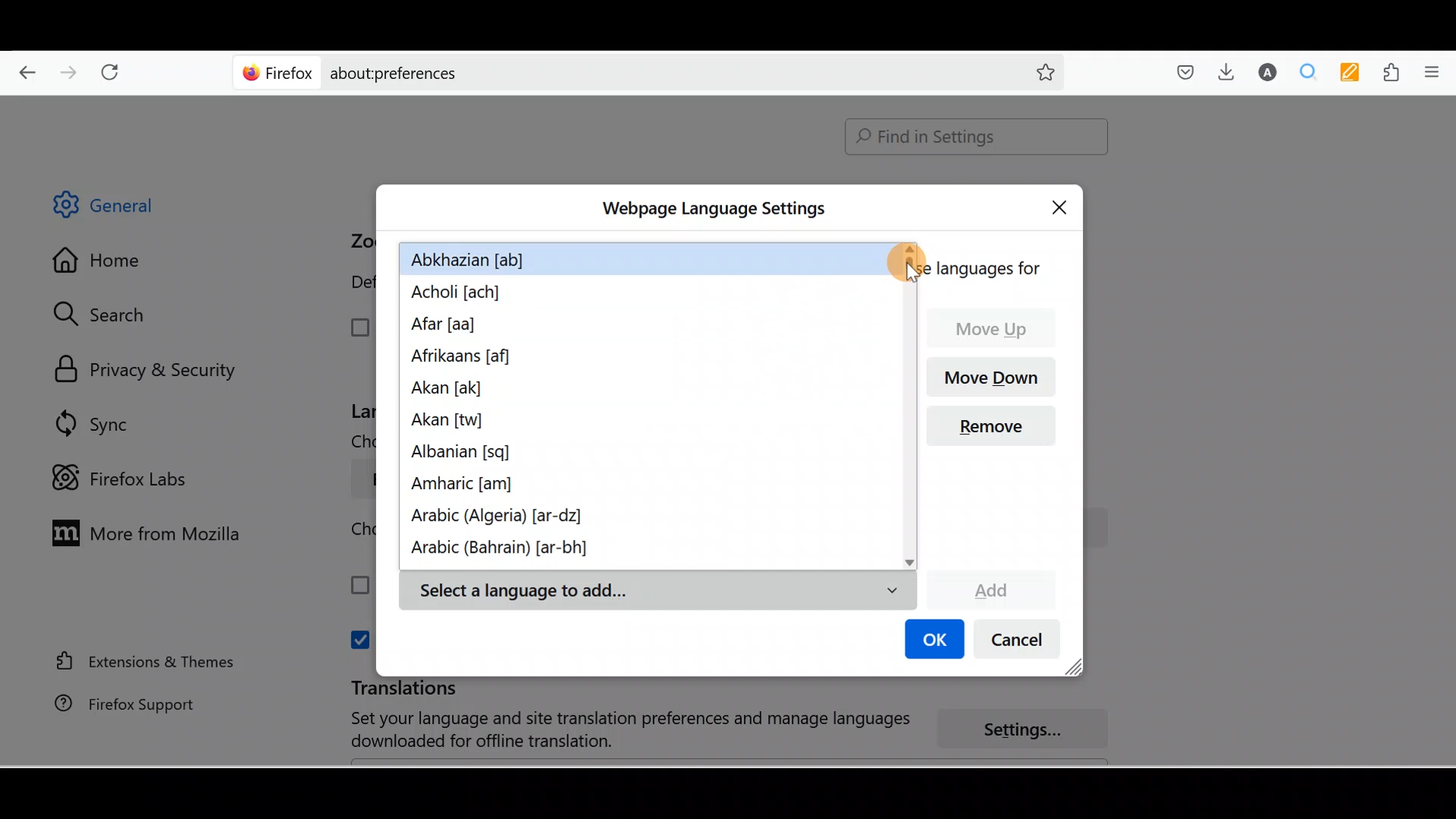 The image size is (1456, 819). What do you see at coordinates (1354, 74) in the screenshot?
I see `Multi keywords highlighter` at bounding box center [1354, 74].